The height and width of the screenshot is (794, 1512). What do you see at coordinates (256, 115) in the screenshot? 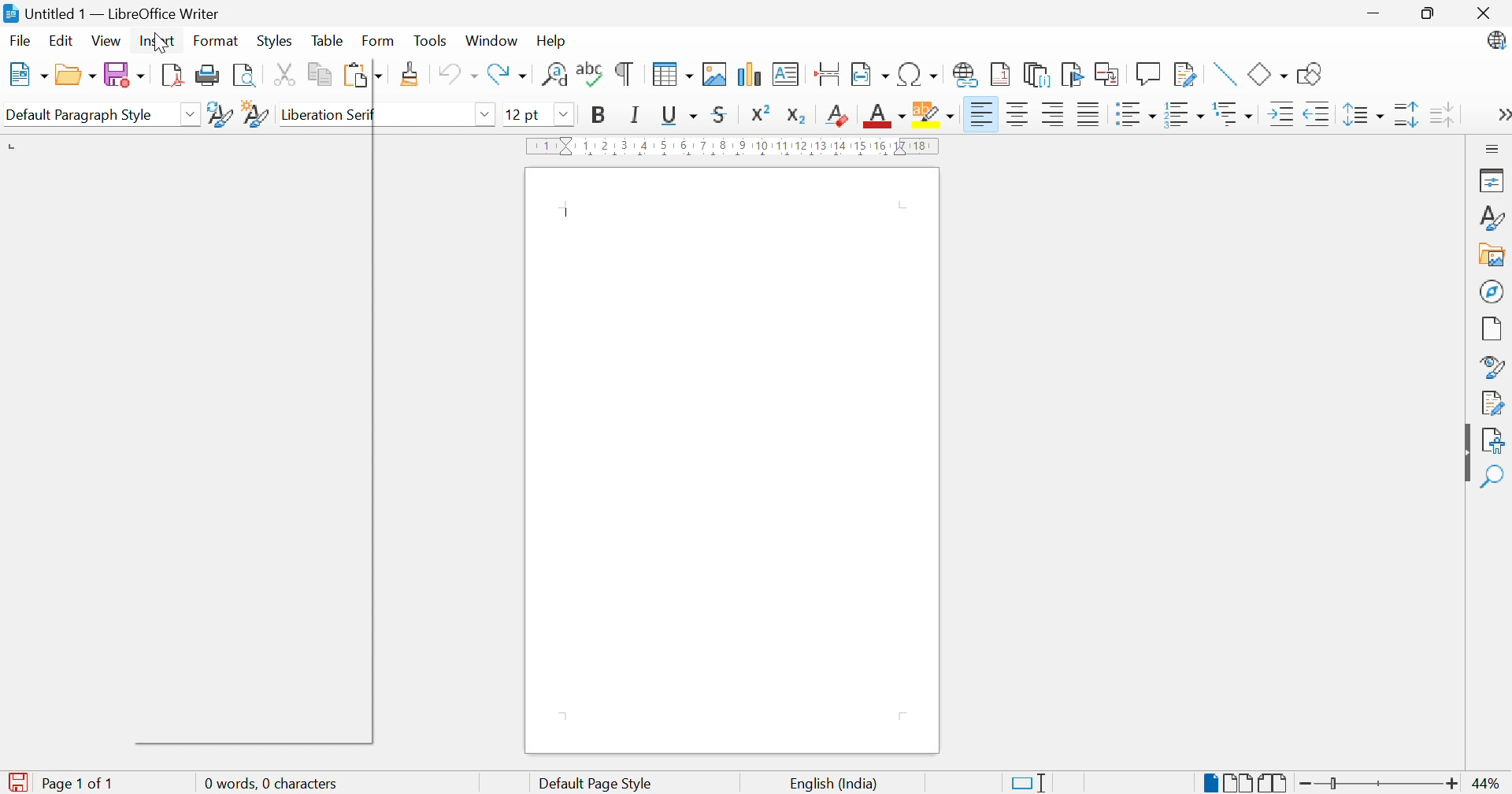
I see `New style from selection` at bounding box center [256, 115].